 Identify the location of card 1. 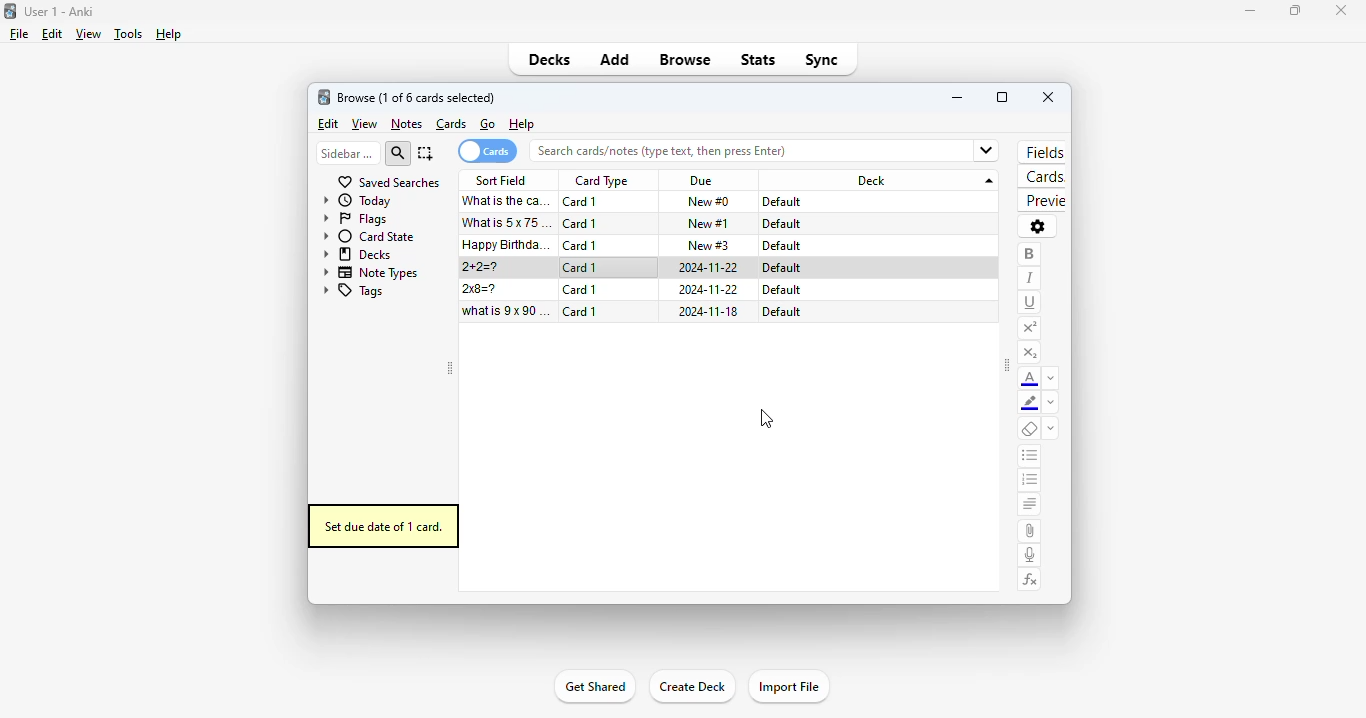
(580, 290).